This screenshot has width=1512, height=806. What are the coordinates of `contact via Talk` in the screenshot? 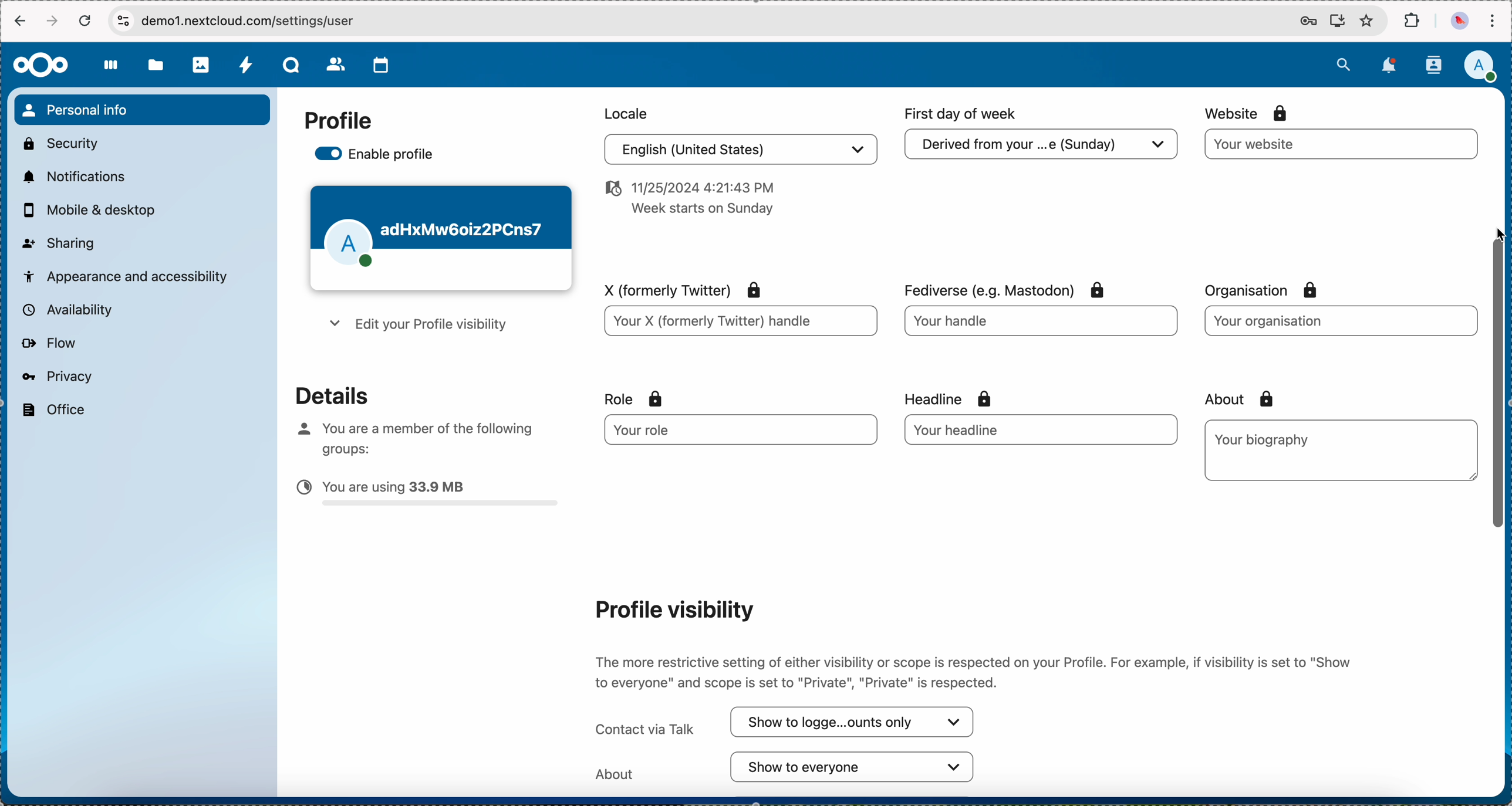 It's located at (786, 723).